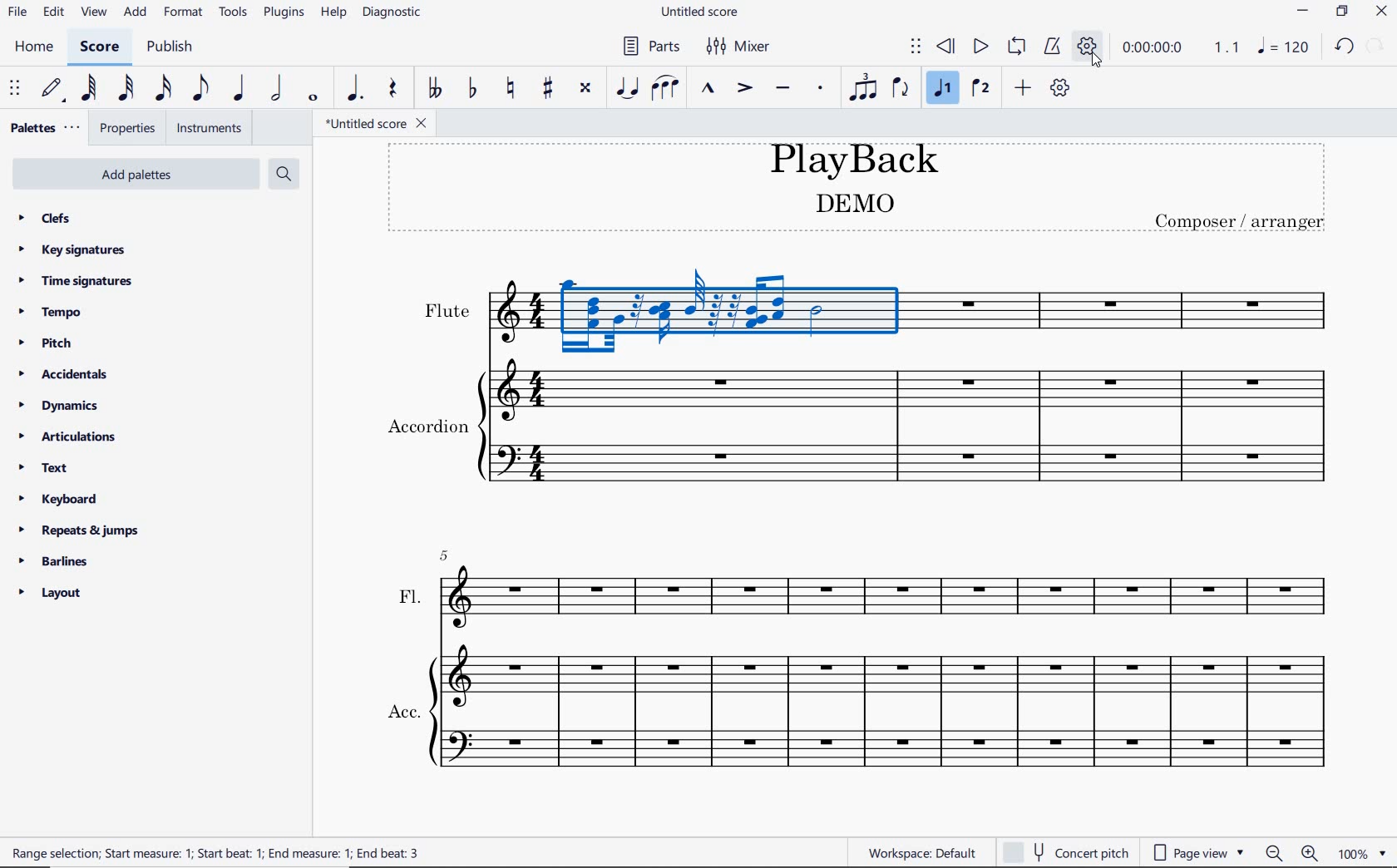  Describe the element at coordinates (509, 87) in the screenshot. I see `toggle natural` at that location.